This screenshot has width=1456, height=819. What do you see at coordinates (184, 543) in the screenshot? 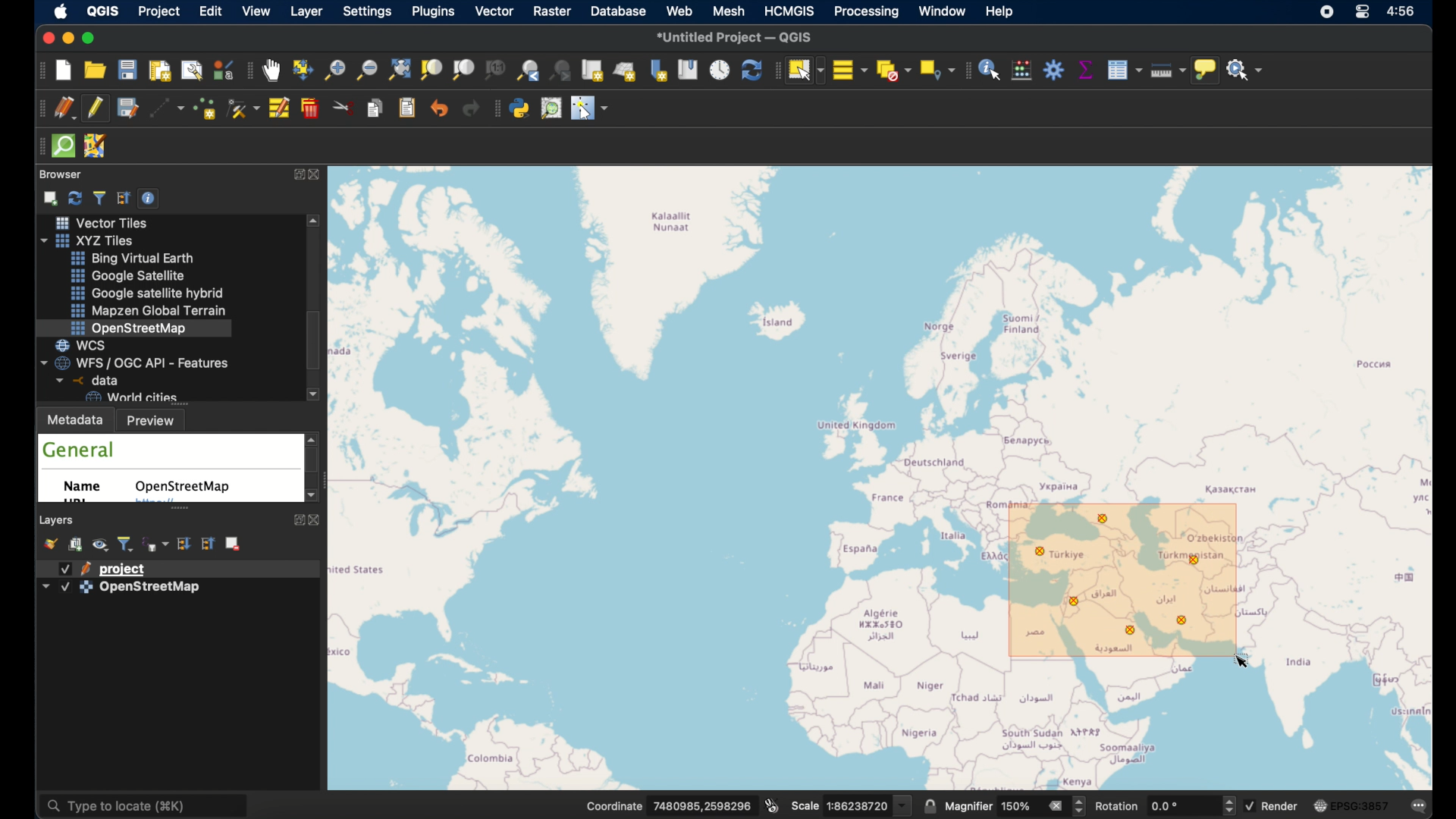
I see `expand all` at bounding box center [184, 543].